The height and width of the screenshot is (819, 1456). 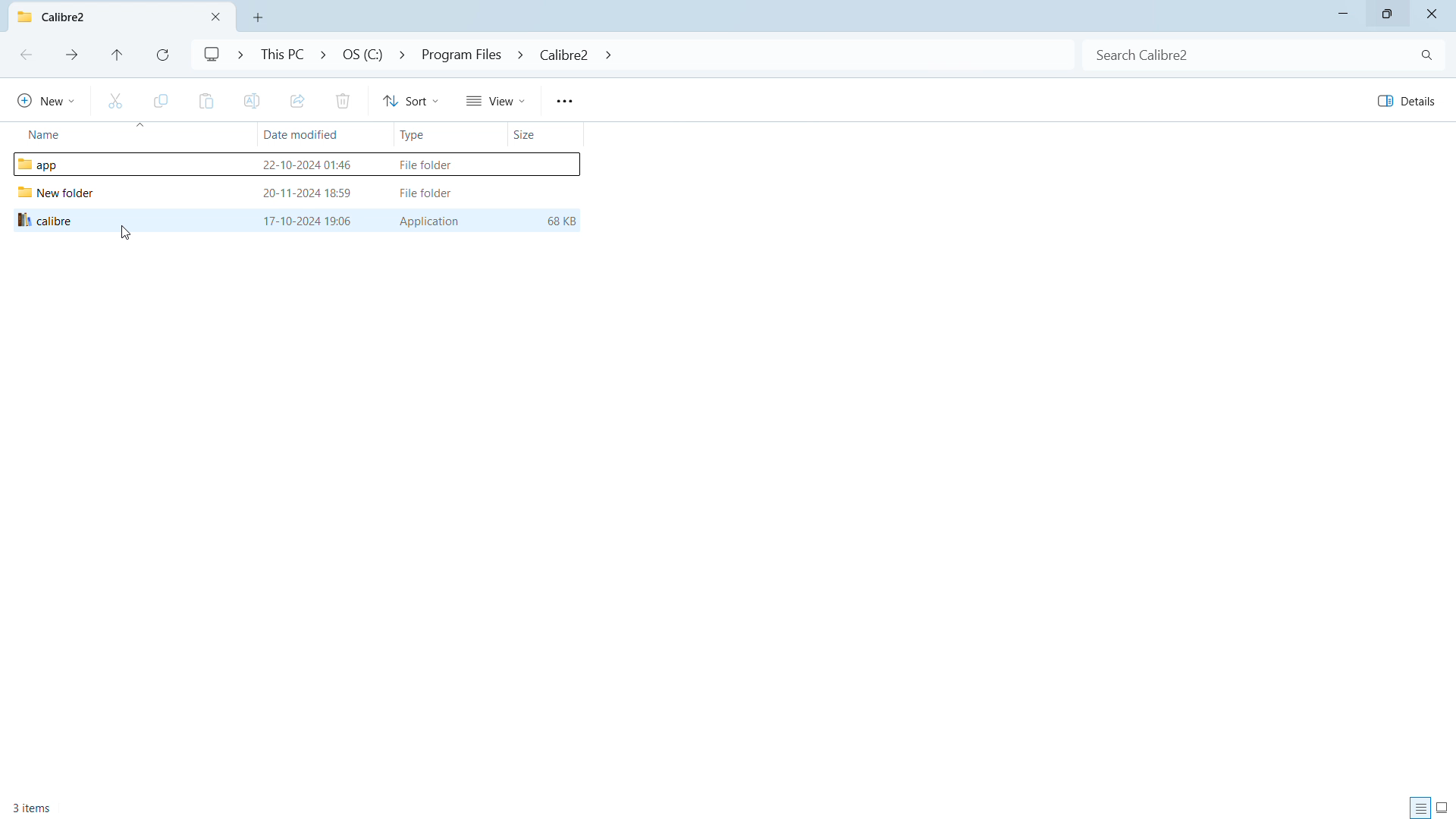 I want to click on minimize, so click(x=1345, y=11).